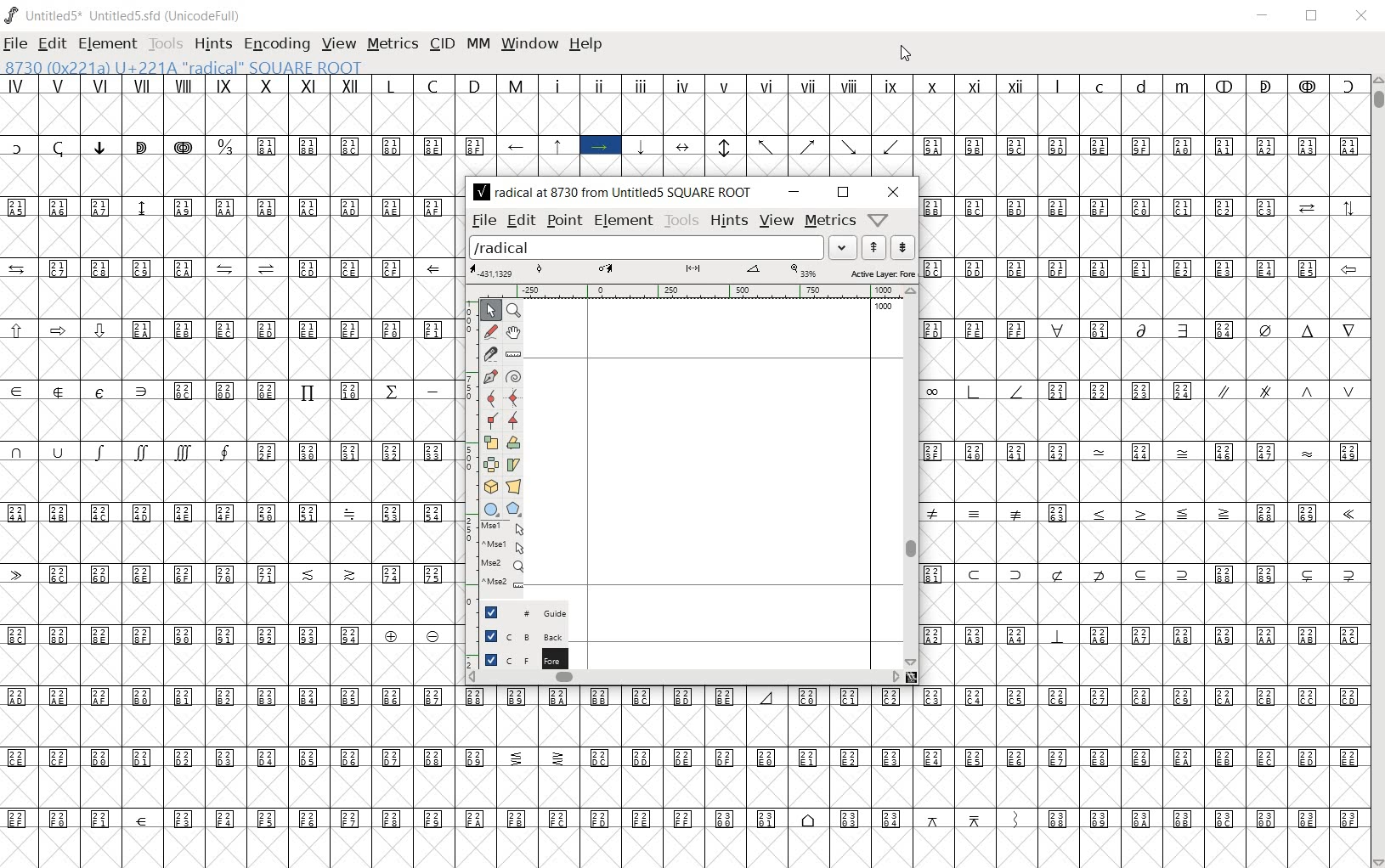 This screenshot has height=868, width=1385. I want to click on RESTORE DOWN, so click(1313, 16).